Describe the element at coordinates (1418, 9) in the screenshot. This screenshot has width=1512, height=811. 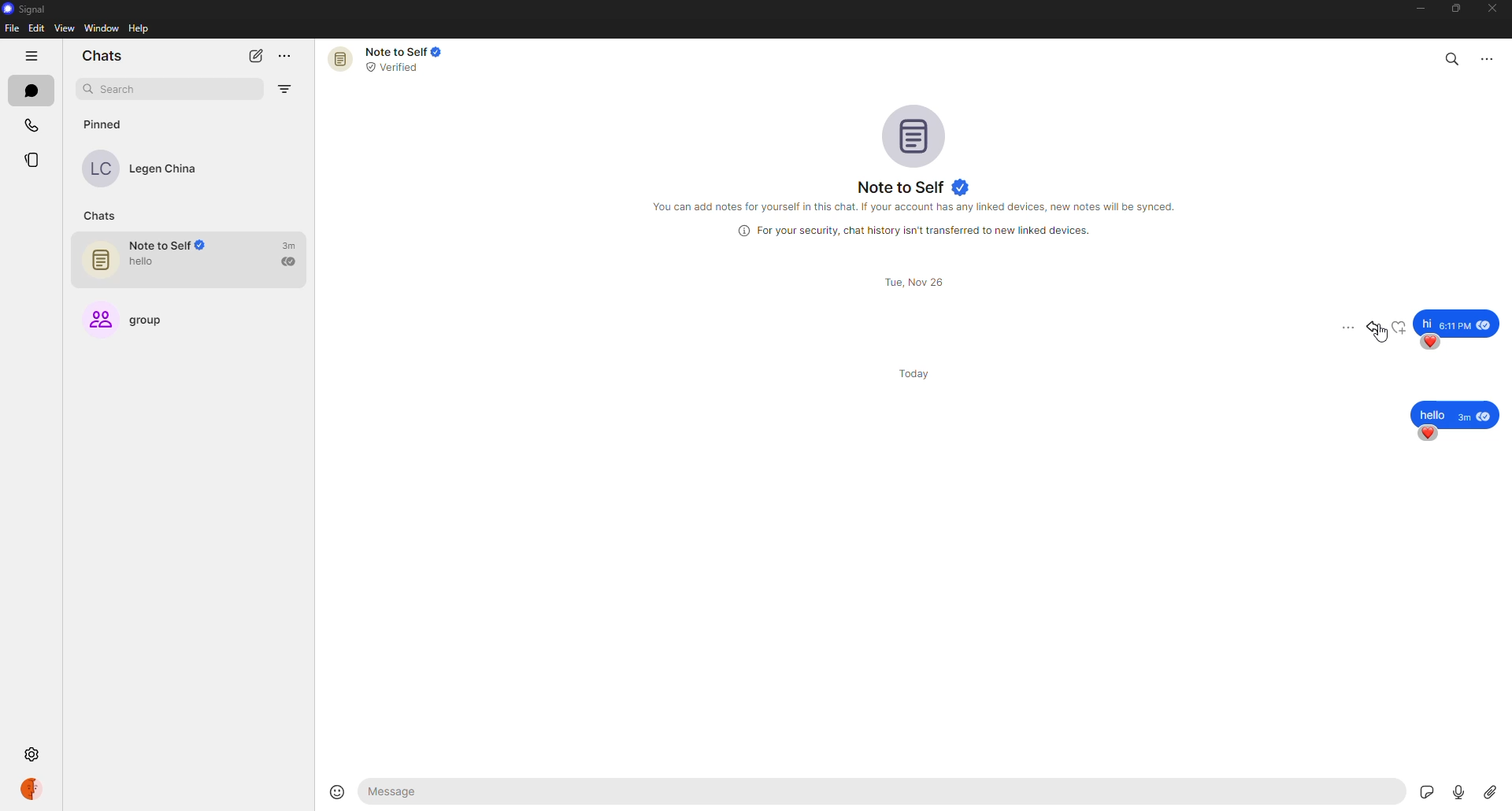
I see `minimize` at that location.